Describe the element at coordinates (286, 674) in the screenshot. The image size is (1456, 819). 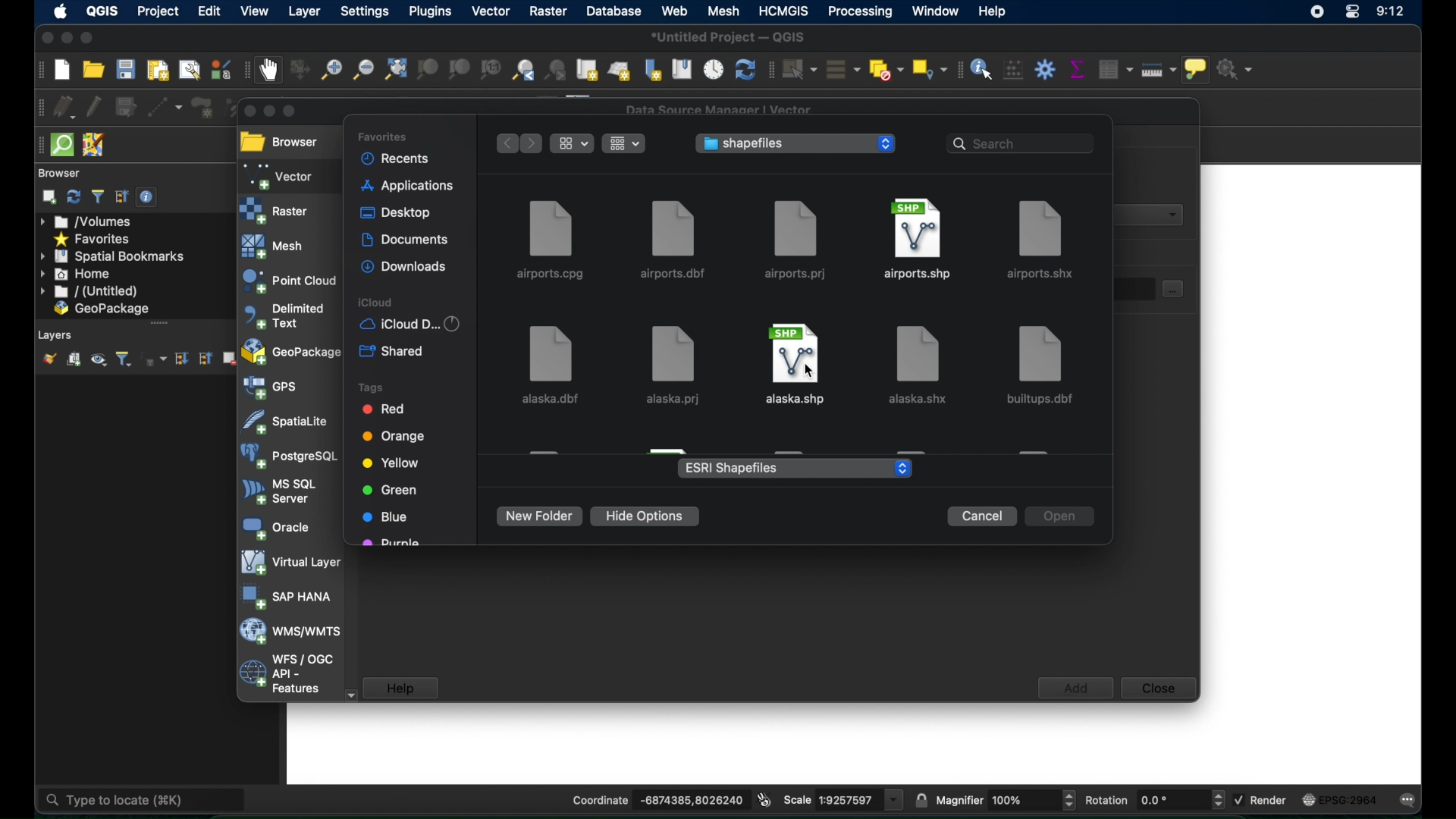
I see `wfs/ogc api - features` at that location.